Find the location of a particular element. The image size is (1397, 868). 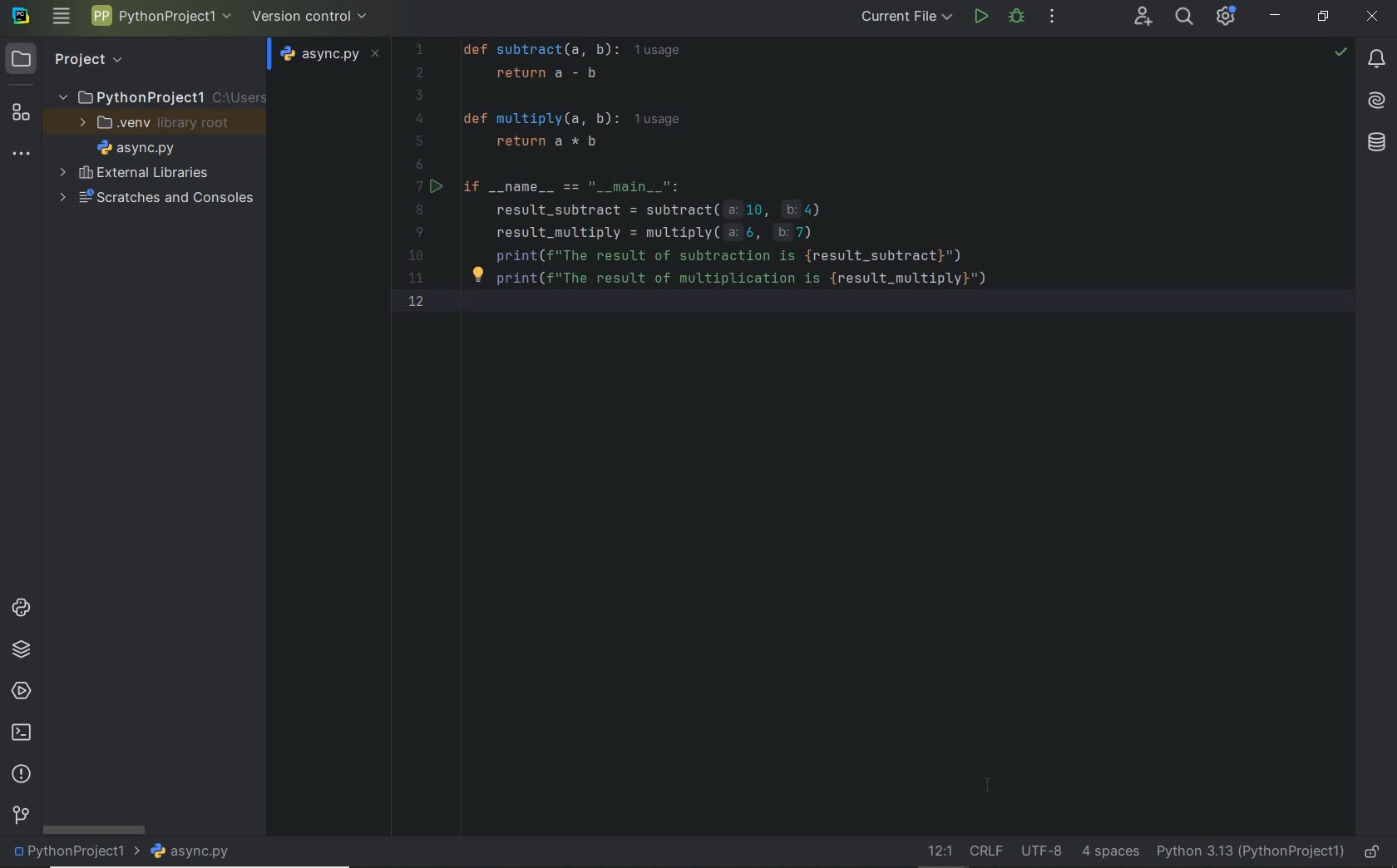

version control is located at coordinates (311, 15).